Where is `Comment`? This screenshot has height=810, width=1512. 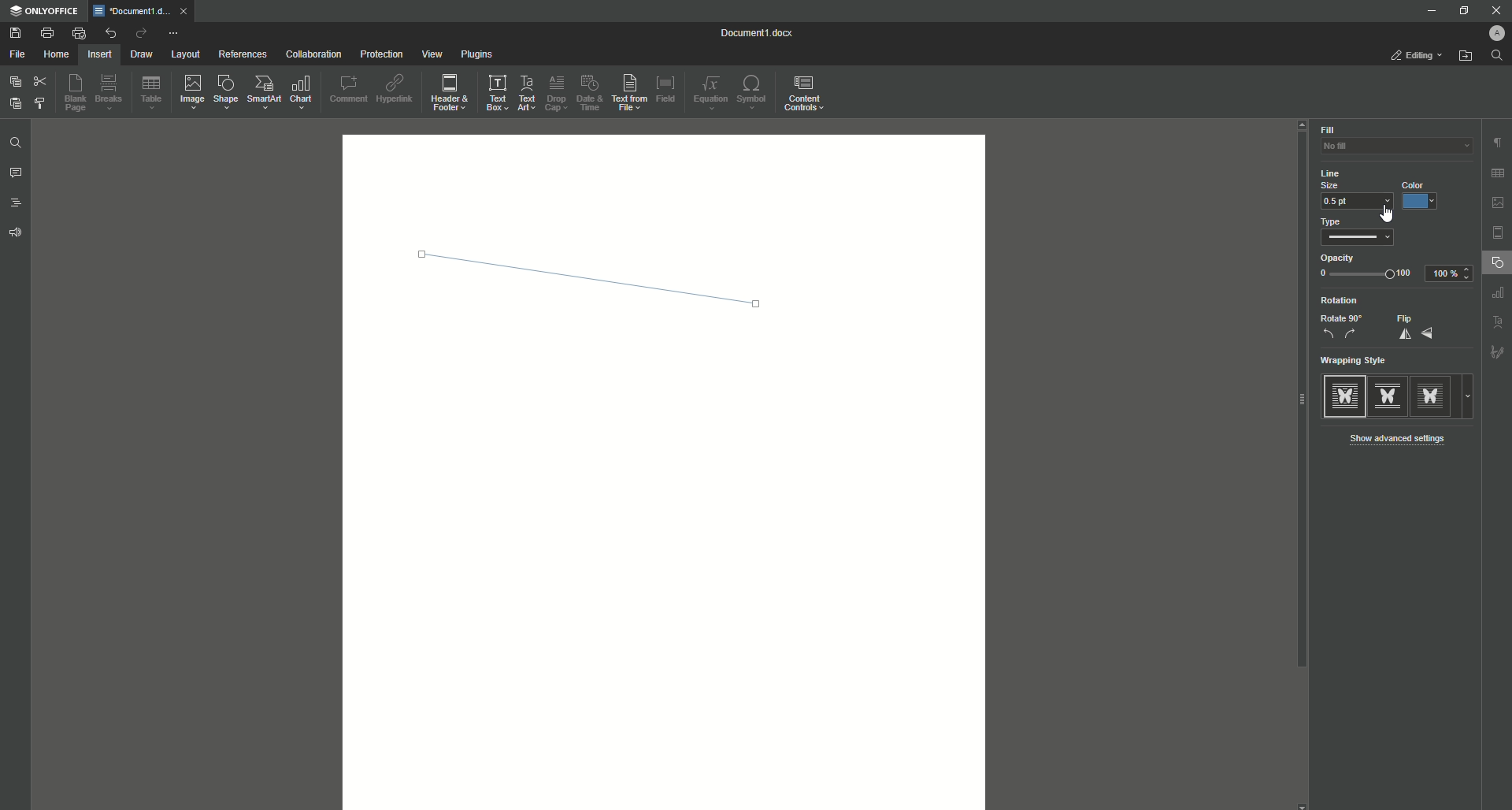
Comment is located at coordinates (348, 88).